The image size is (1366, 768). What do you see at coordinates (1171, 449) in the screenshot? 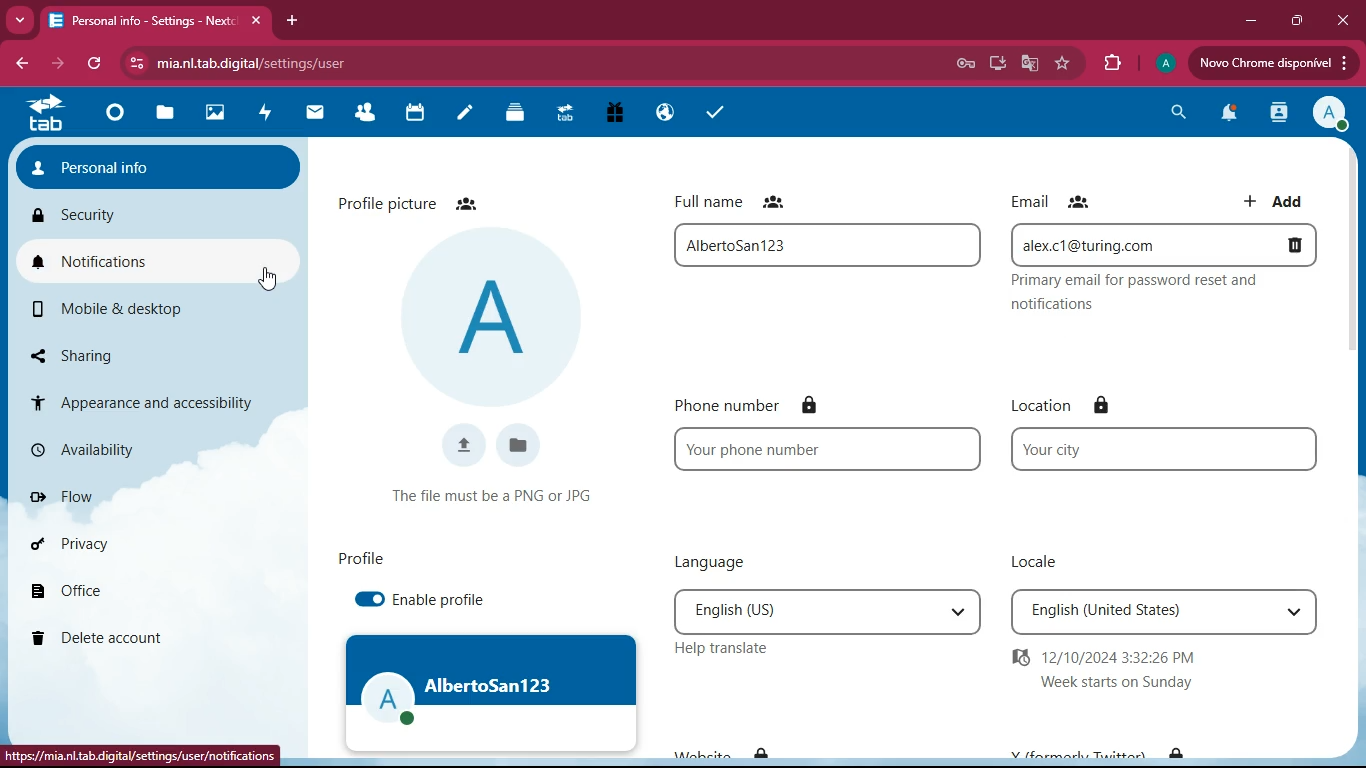
I see `city` at bounding box center [1171, 449].